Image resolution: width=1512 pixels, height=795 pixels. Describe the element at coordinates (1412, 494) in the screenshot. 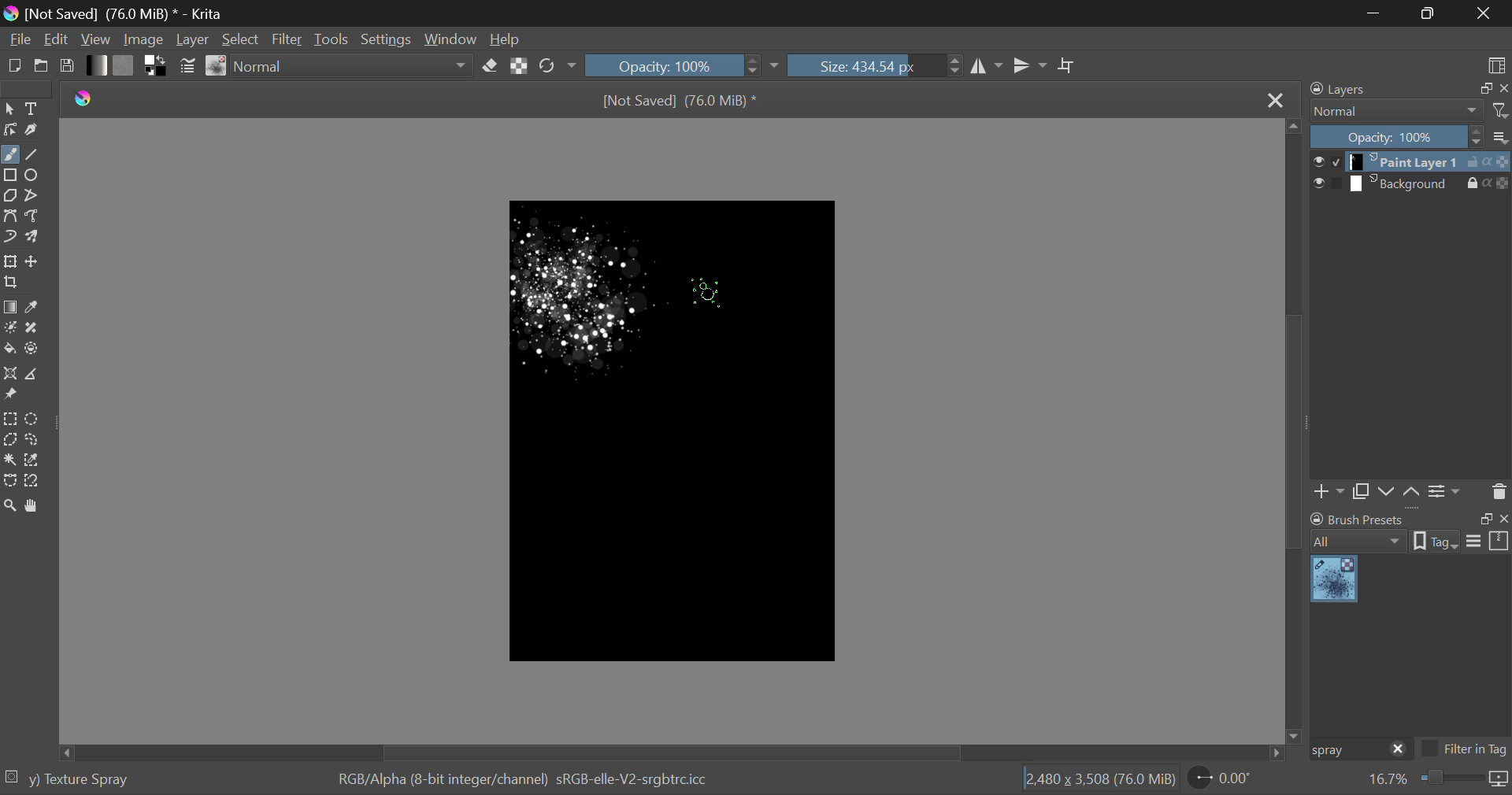

I see `Layer Movement up` at that location.